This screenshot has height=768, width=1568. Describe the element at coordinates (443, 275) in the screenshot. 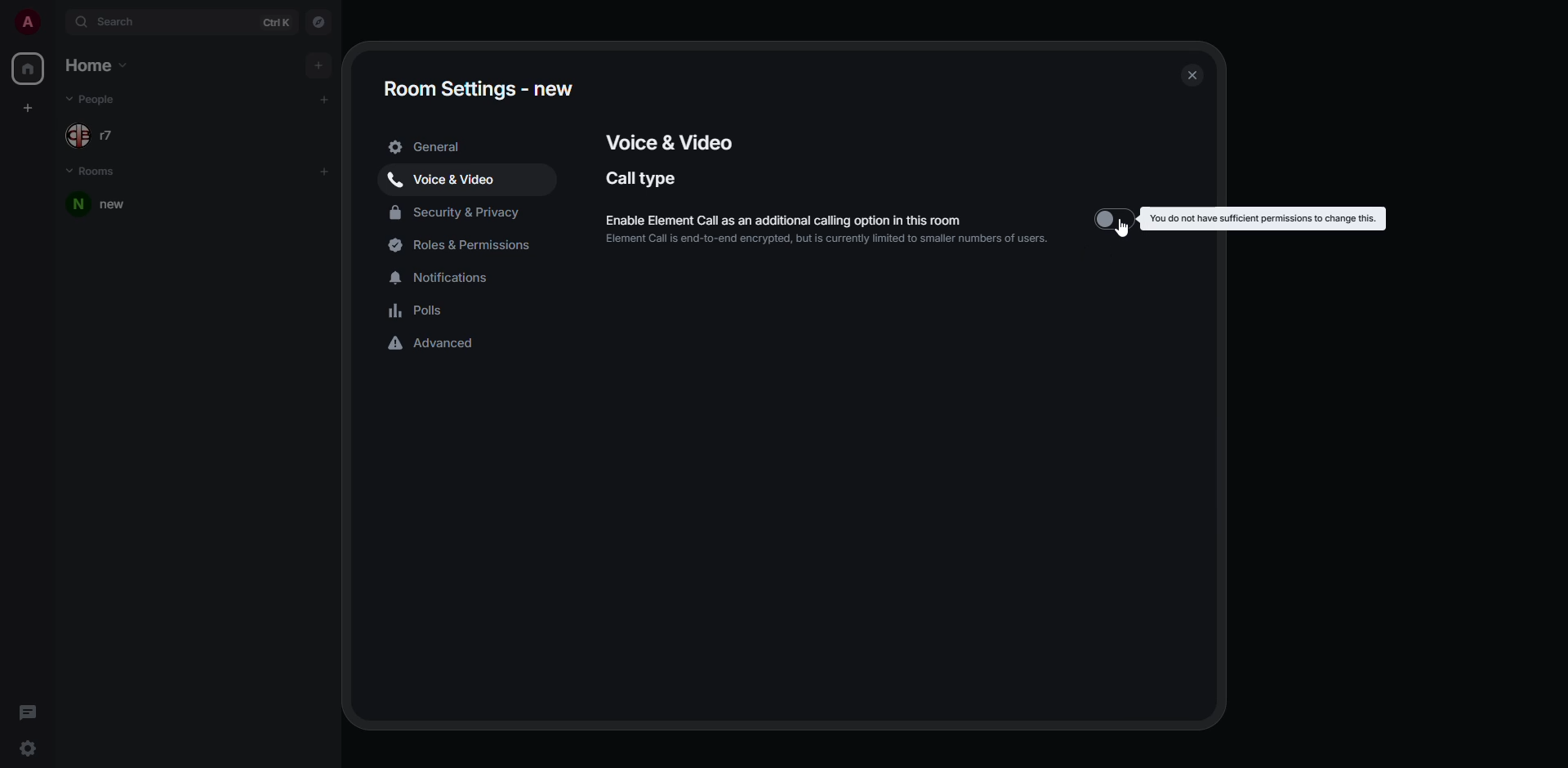

I see `notifications` at that location.